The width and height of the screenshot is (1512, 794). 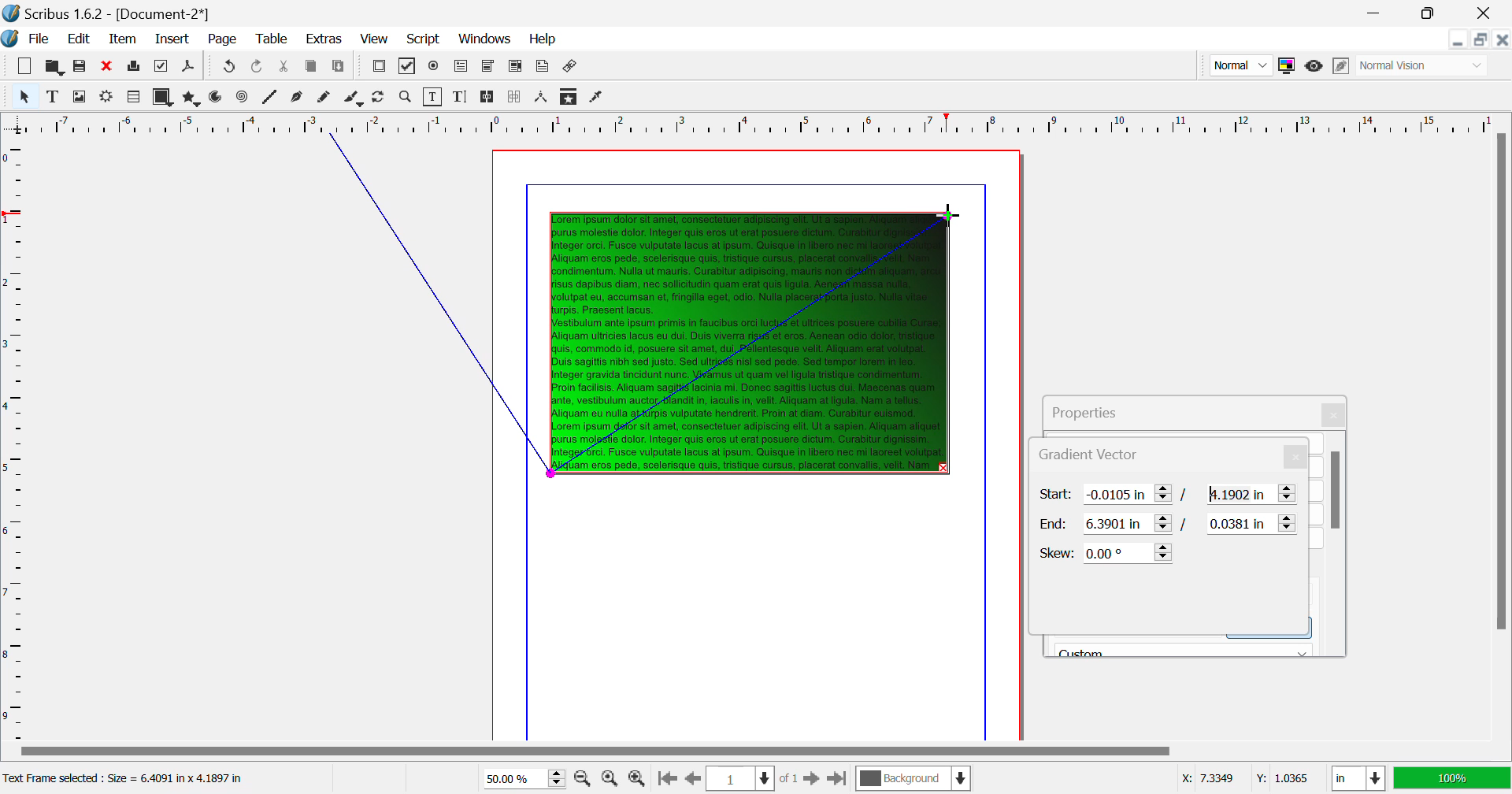 I want to click on Page Rotation, so click(x=382, y=98).